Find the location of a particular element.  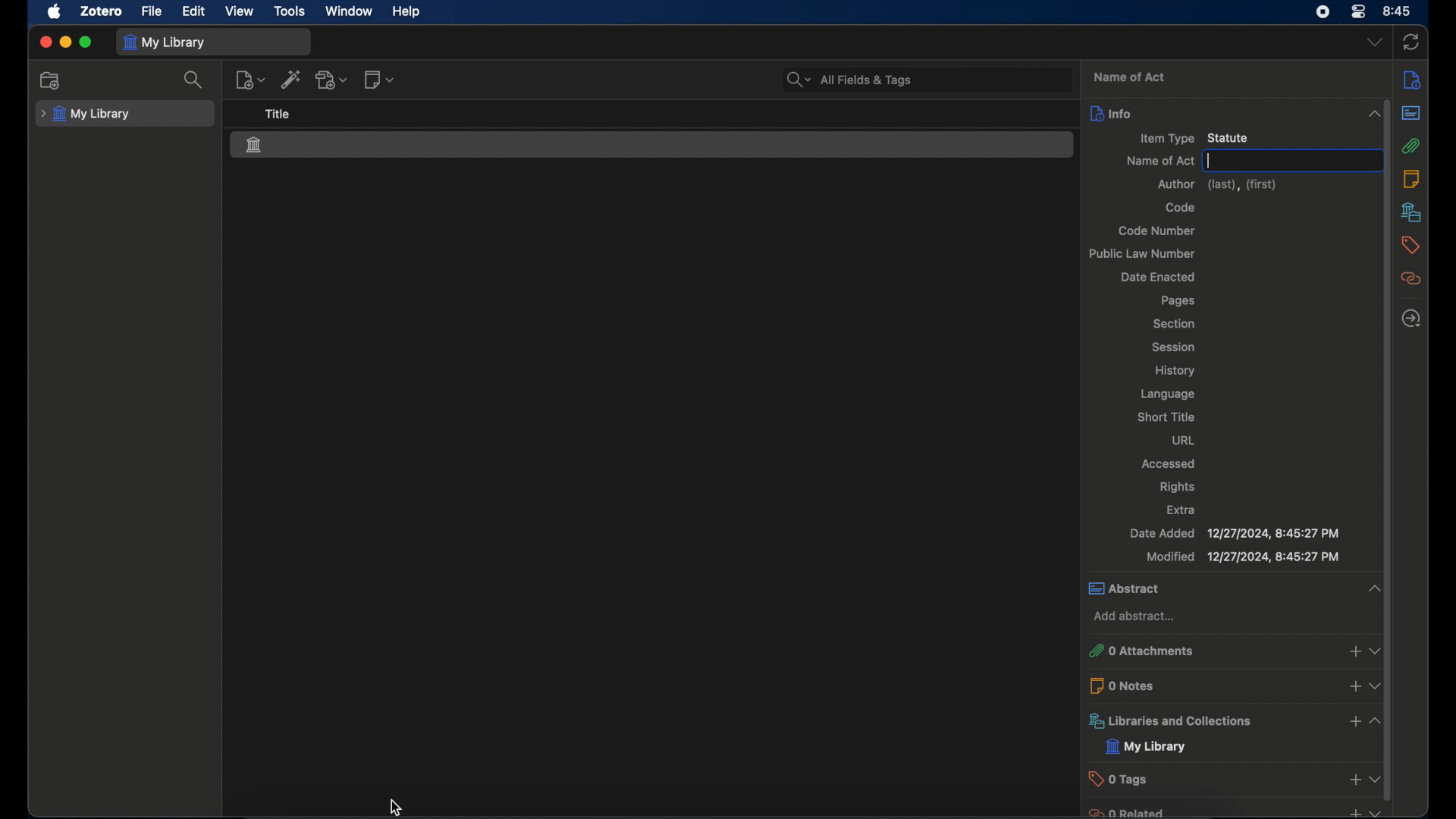

attachments is located at coordinates (1411, 146).